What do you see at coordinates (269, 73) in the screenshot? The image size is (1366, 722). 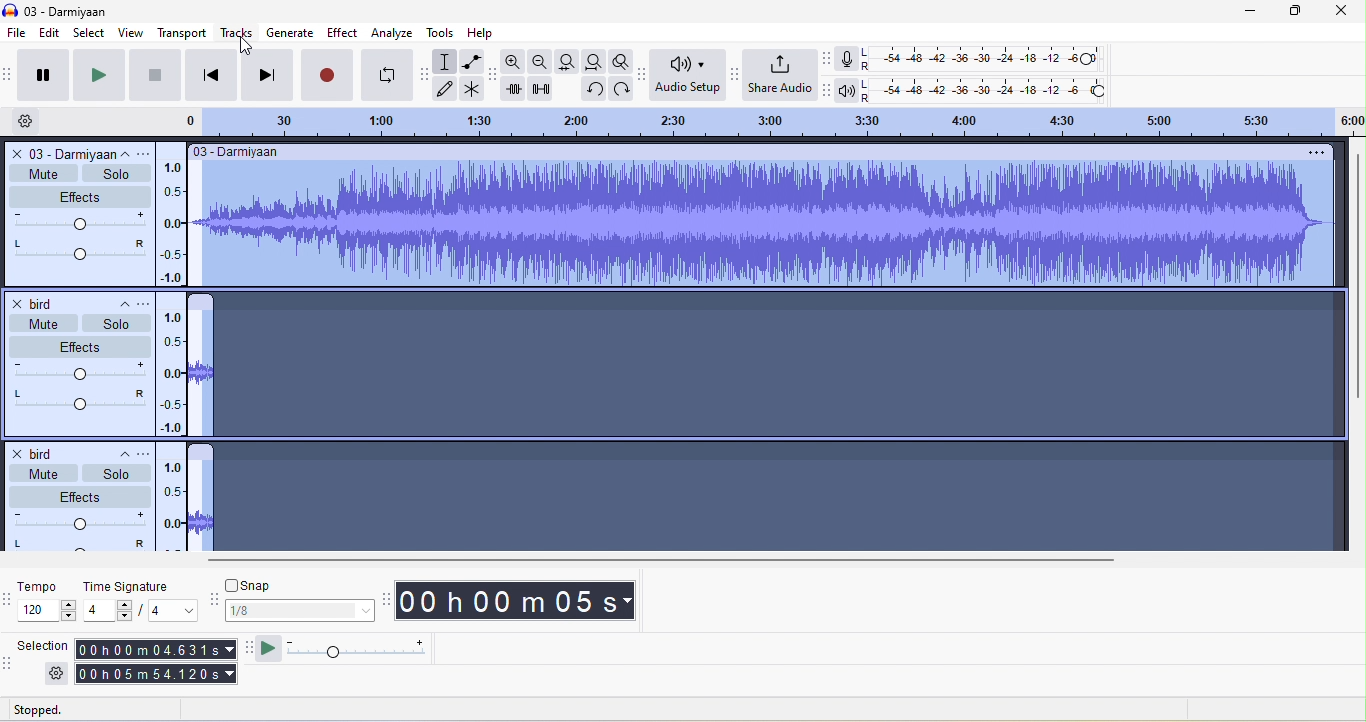 I see `skip to end` at bounding box center [269, 73].